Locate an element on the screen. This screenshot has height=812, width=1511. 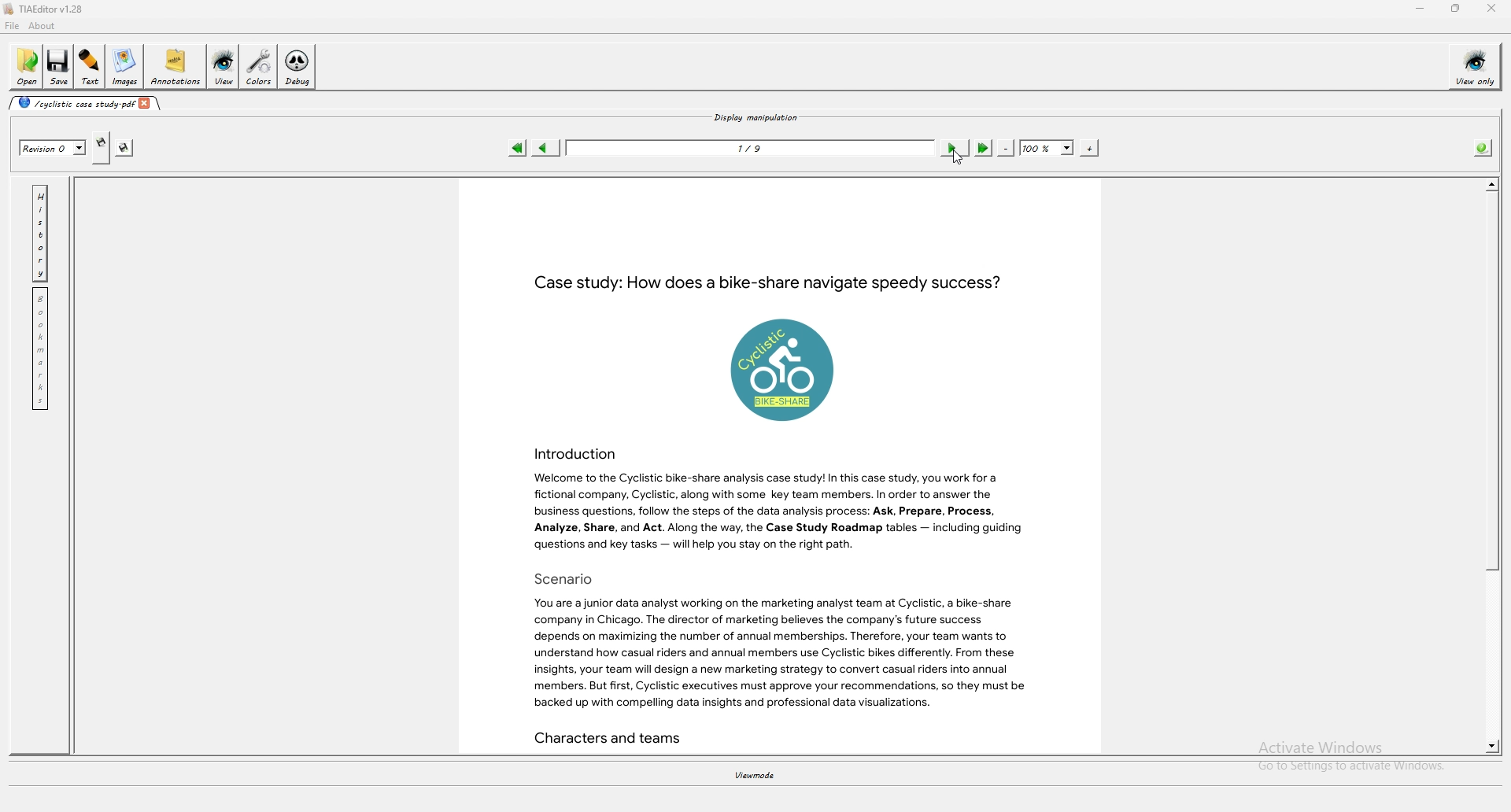
Welcome to the Cyclistic bike-share analysis case study! In this case study, you work for a
fictional company, Cyclistic, along with some key team members. In order to answer the
business questions, follow the steps of the data analysis process: Ask, Prepare, Process,
Analyze, Share, and Act. Along the way, the Case Study Roadmap tables — including guiding
questions and key tasks — will help you stay on the right path. is located at coordinates (785, 514).